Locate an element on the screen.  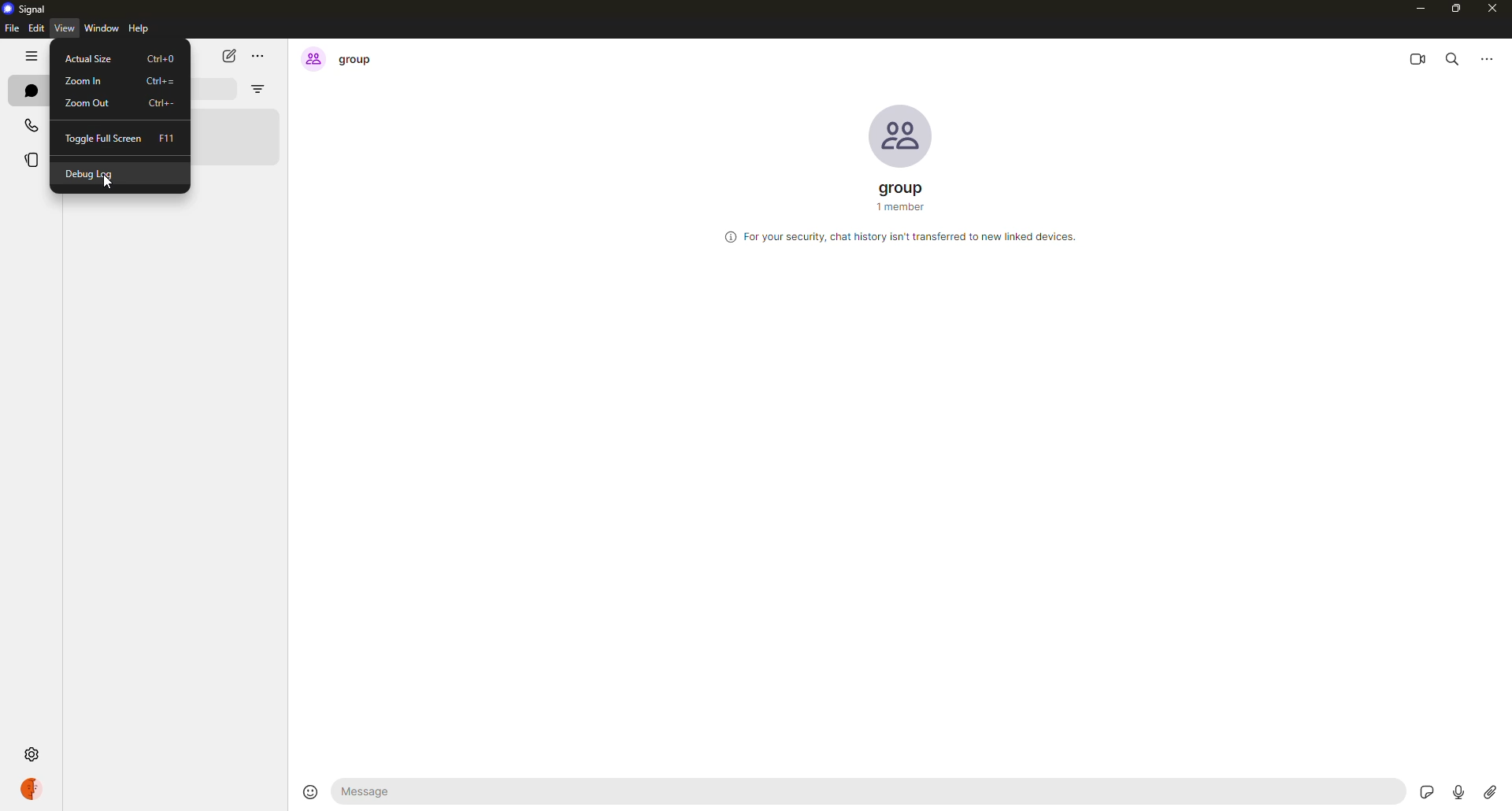
toggle full screen is located at coordinates (101, 139).